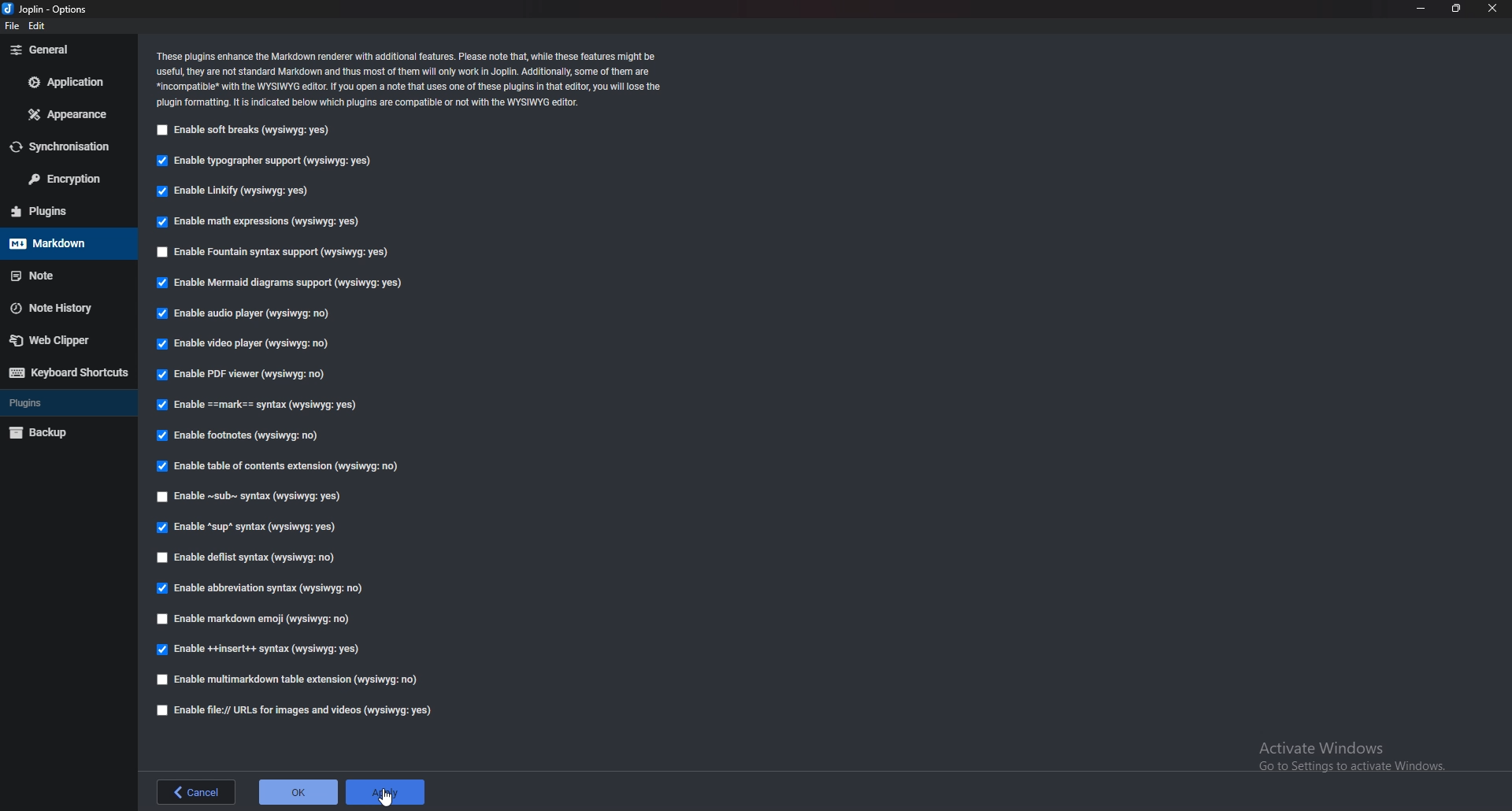  I want to click on keyboard shortcuts, so click(69, 373).